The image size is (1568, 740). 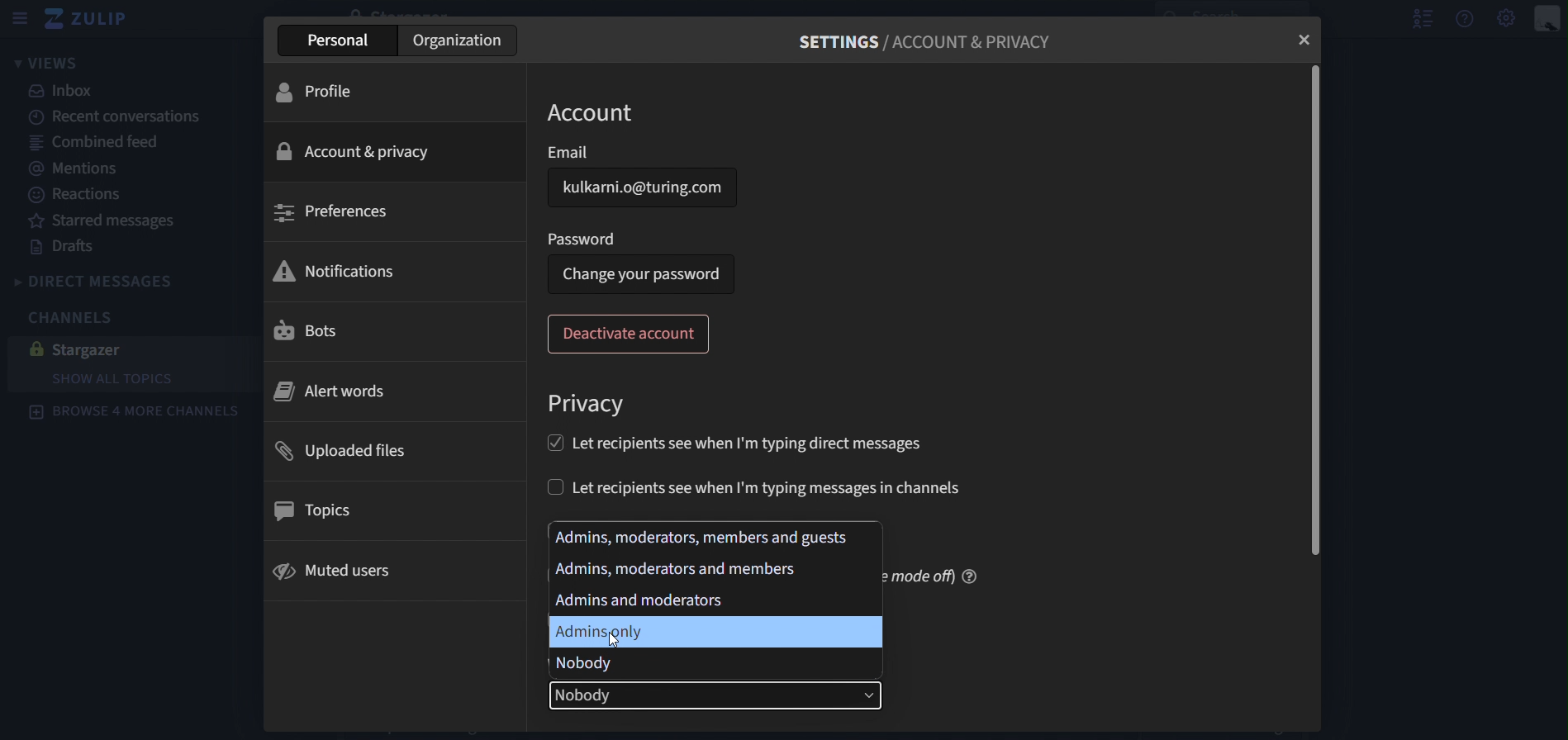 I want to click on preferences, so click(x=336, y=213).